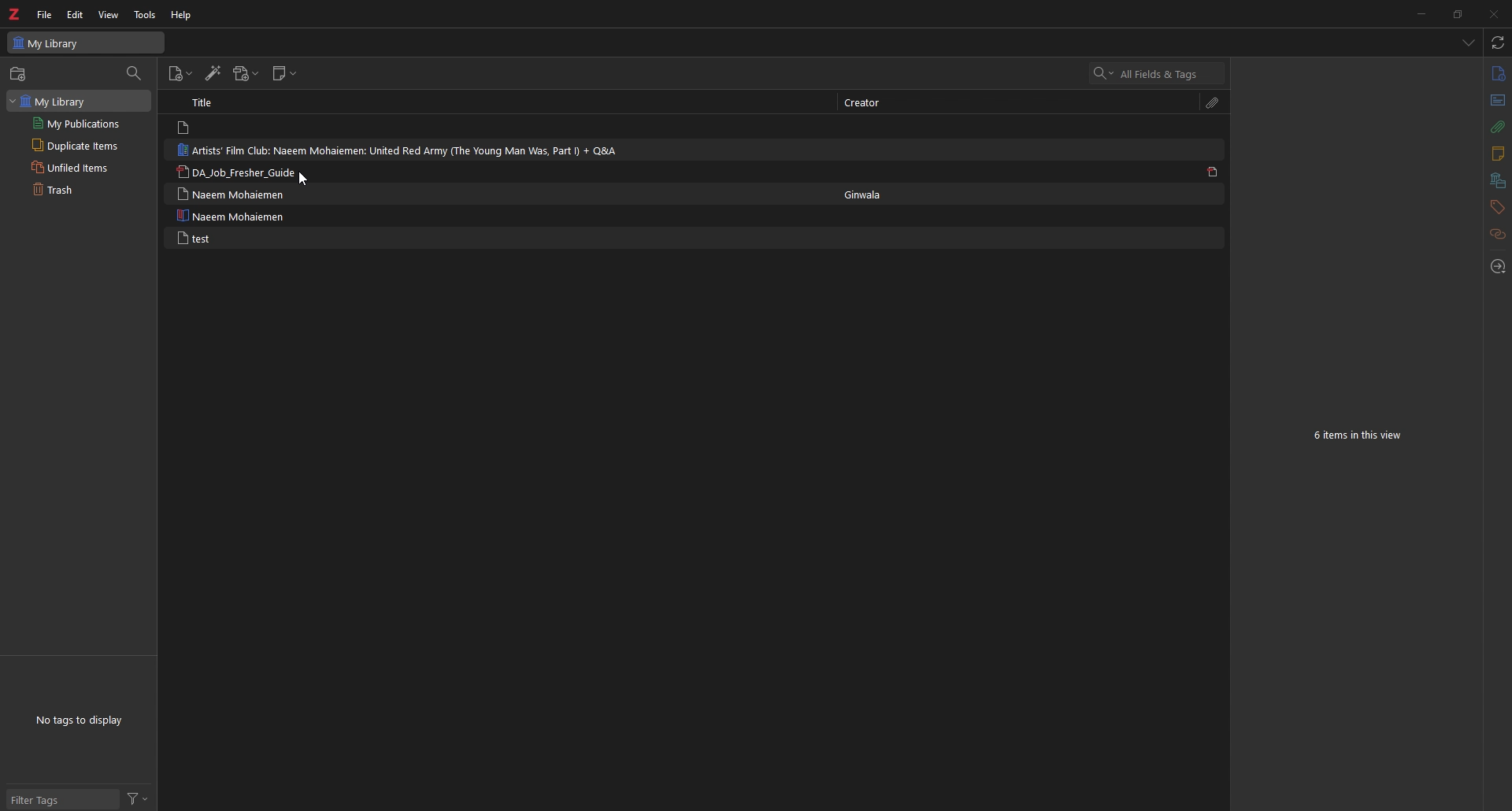 The width and height of the screenshot is (1512, 811). What do you see at coordinates (18, 74) in the screenshot?
I see `new collection` at bounding box center [18, 74].